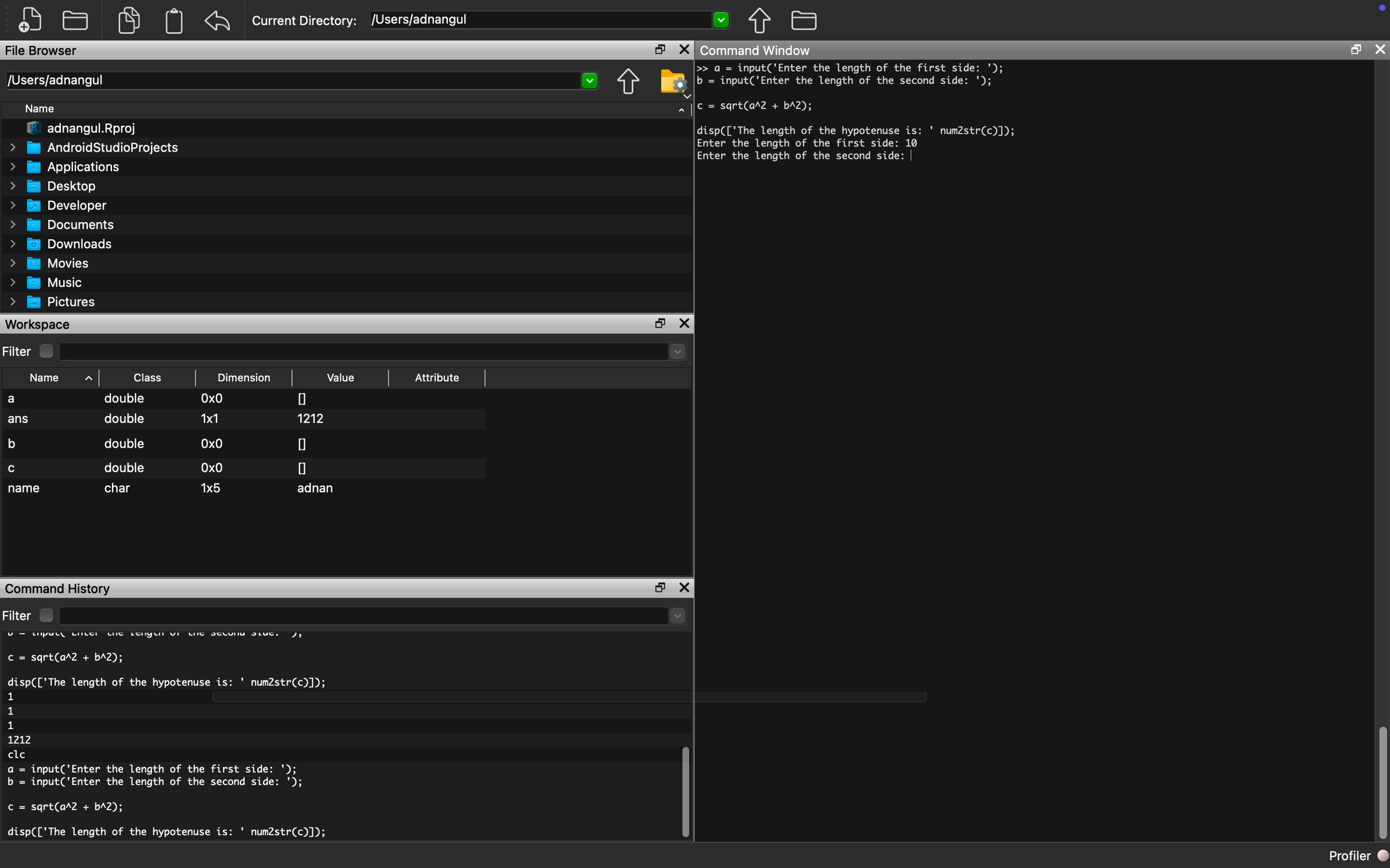 The height and width of the screenshot is (868, 1390). What do you see at coordinates (301, 81) in the screenshot?
I see `Users/adnangul 2` at bounding box center [301, 81].